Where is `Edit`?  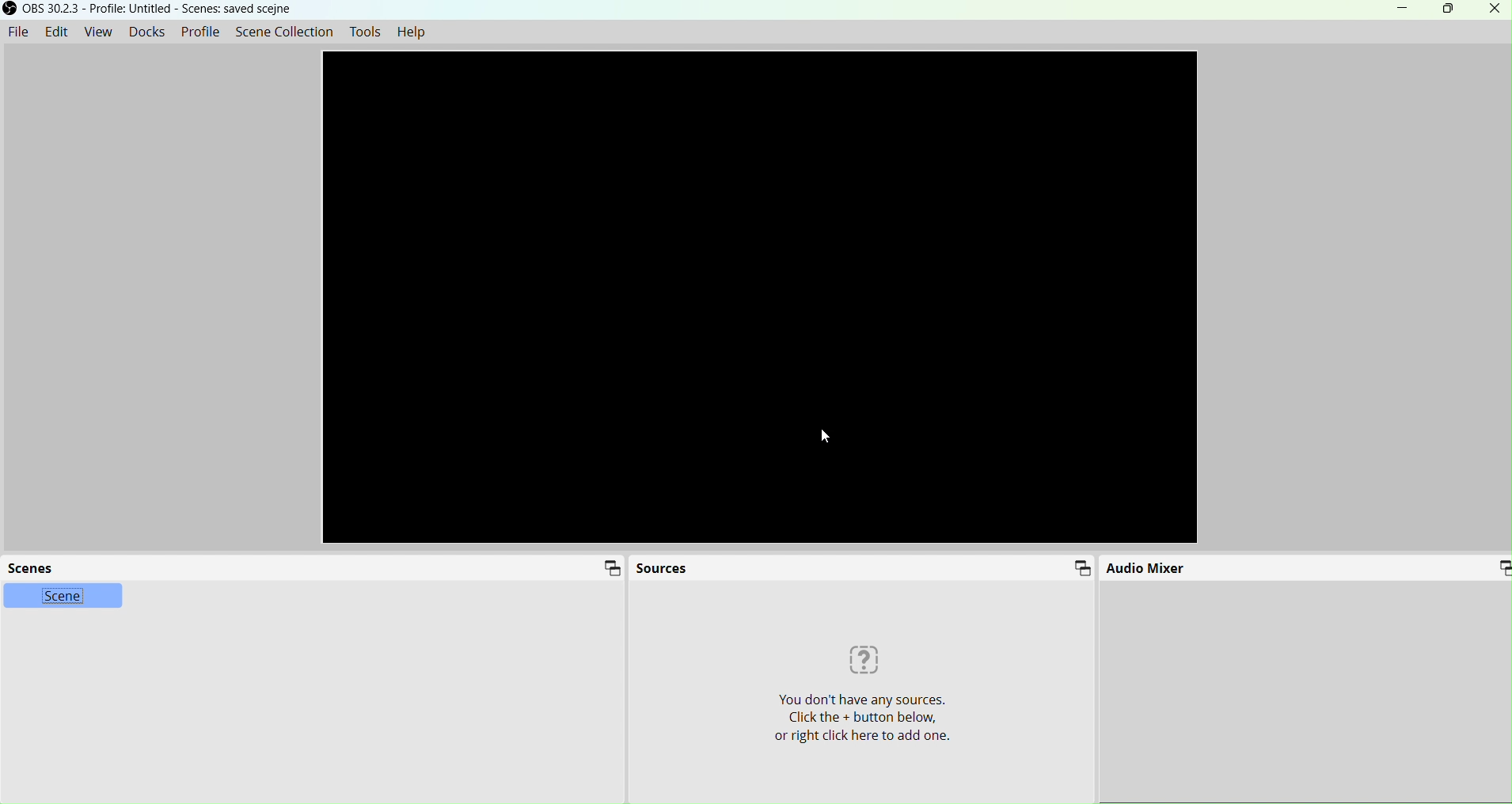 Edit is located at coordinates (56, 31).